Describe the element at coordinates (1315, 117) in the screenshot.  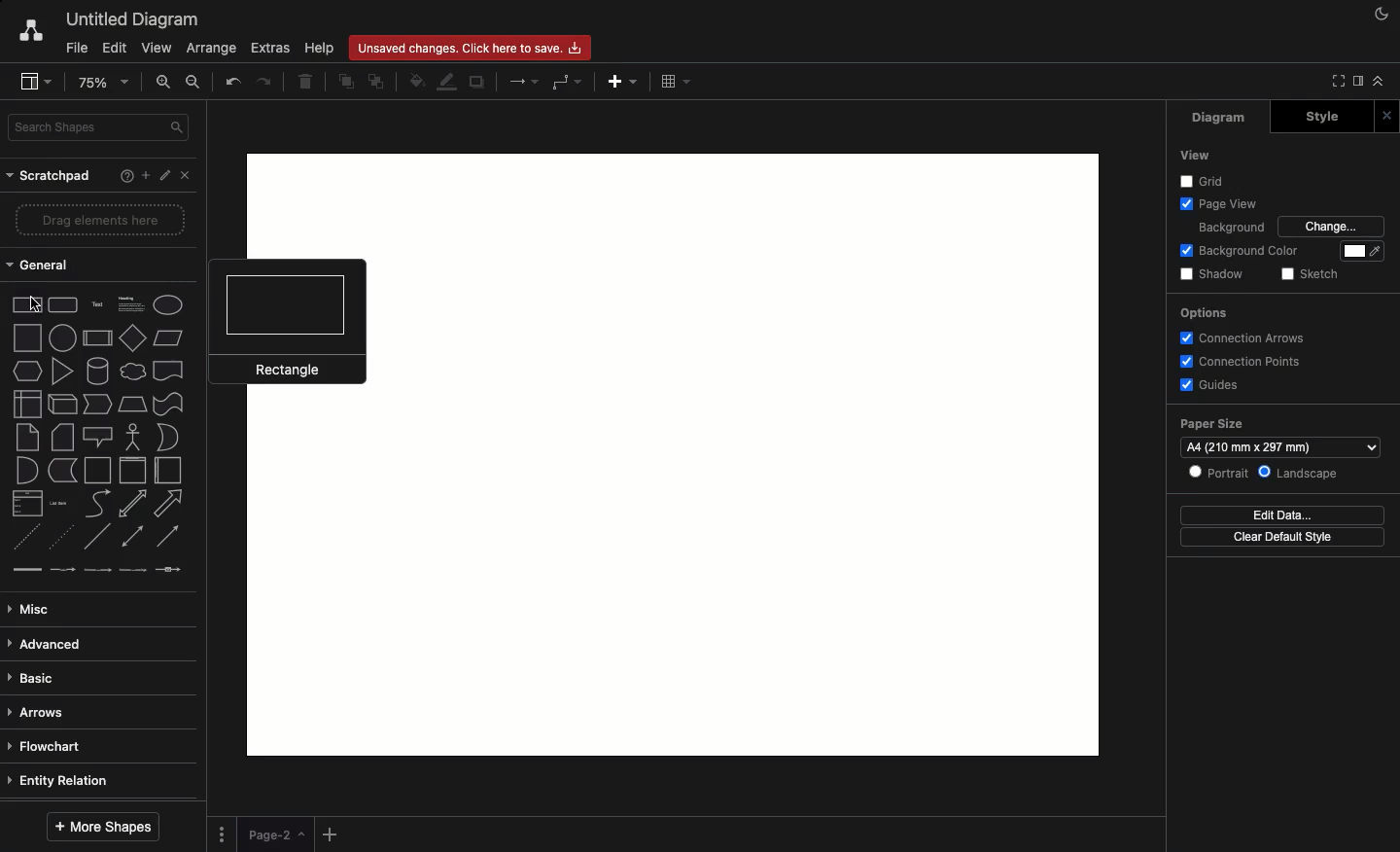
I see `Style` at that location.